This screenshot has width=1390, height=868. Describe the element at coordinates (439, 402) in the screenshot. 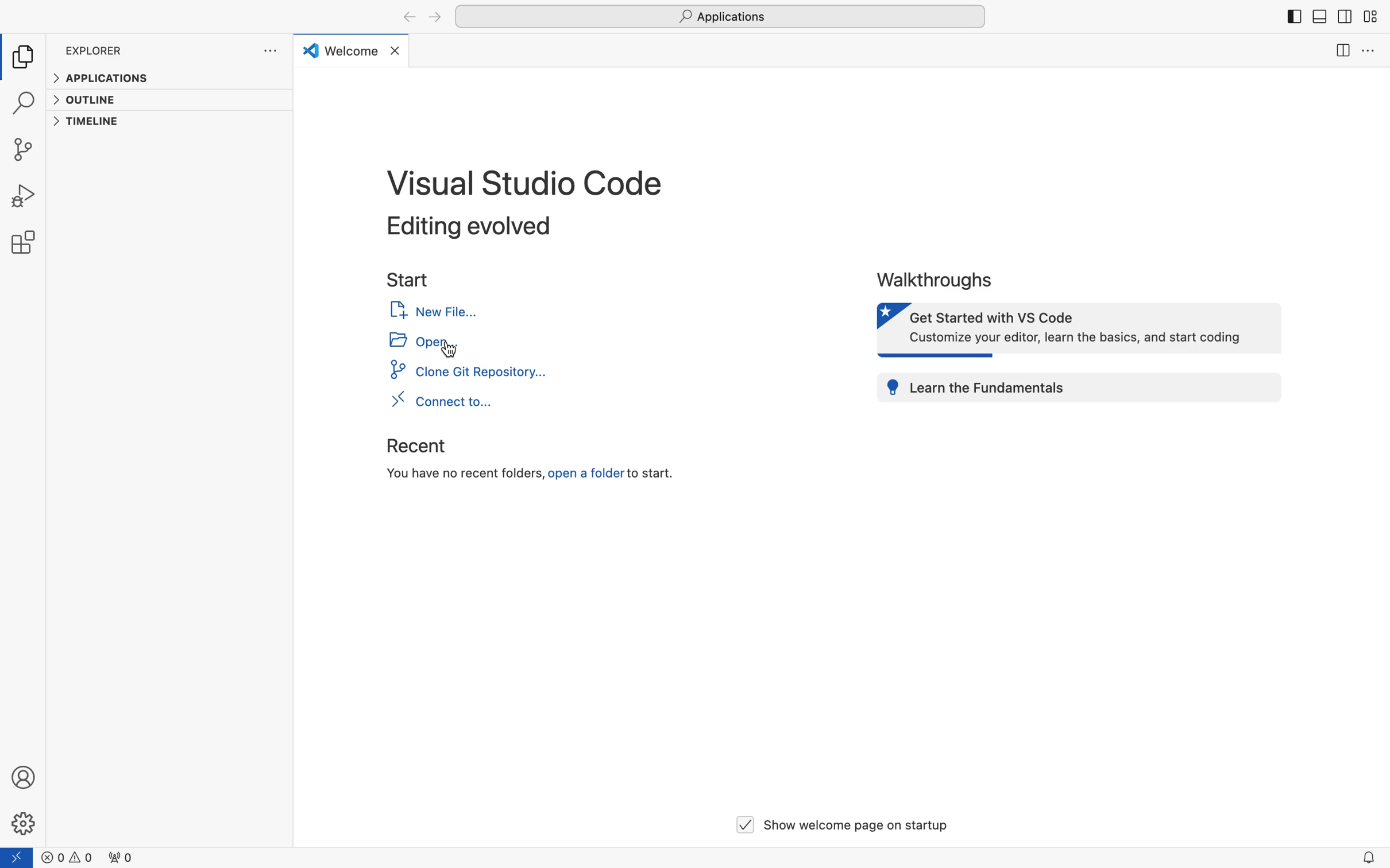

I see `connect to` at that location.